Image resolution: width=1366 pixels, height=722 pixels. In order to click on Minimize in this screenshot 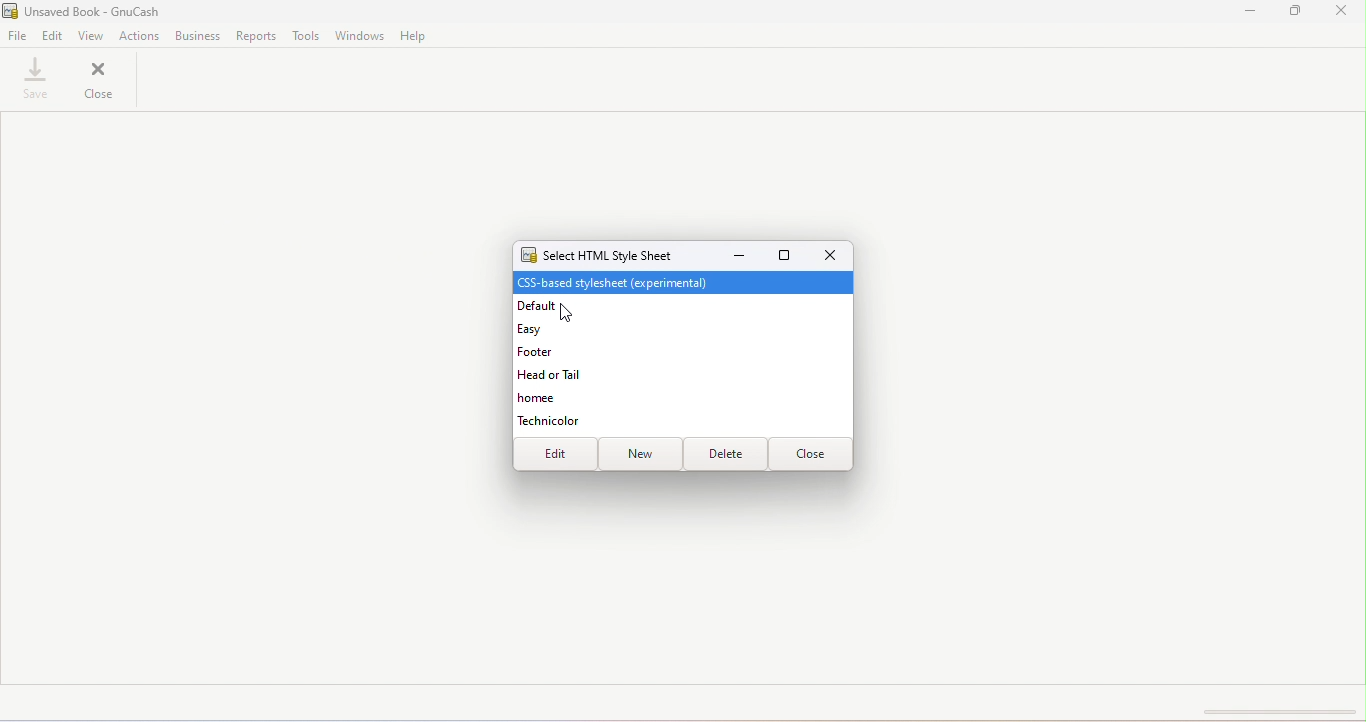, I will do `click(1254, 12)`.